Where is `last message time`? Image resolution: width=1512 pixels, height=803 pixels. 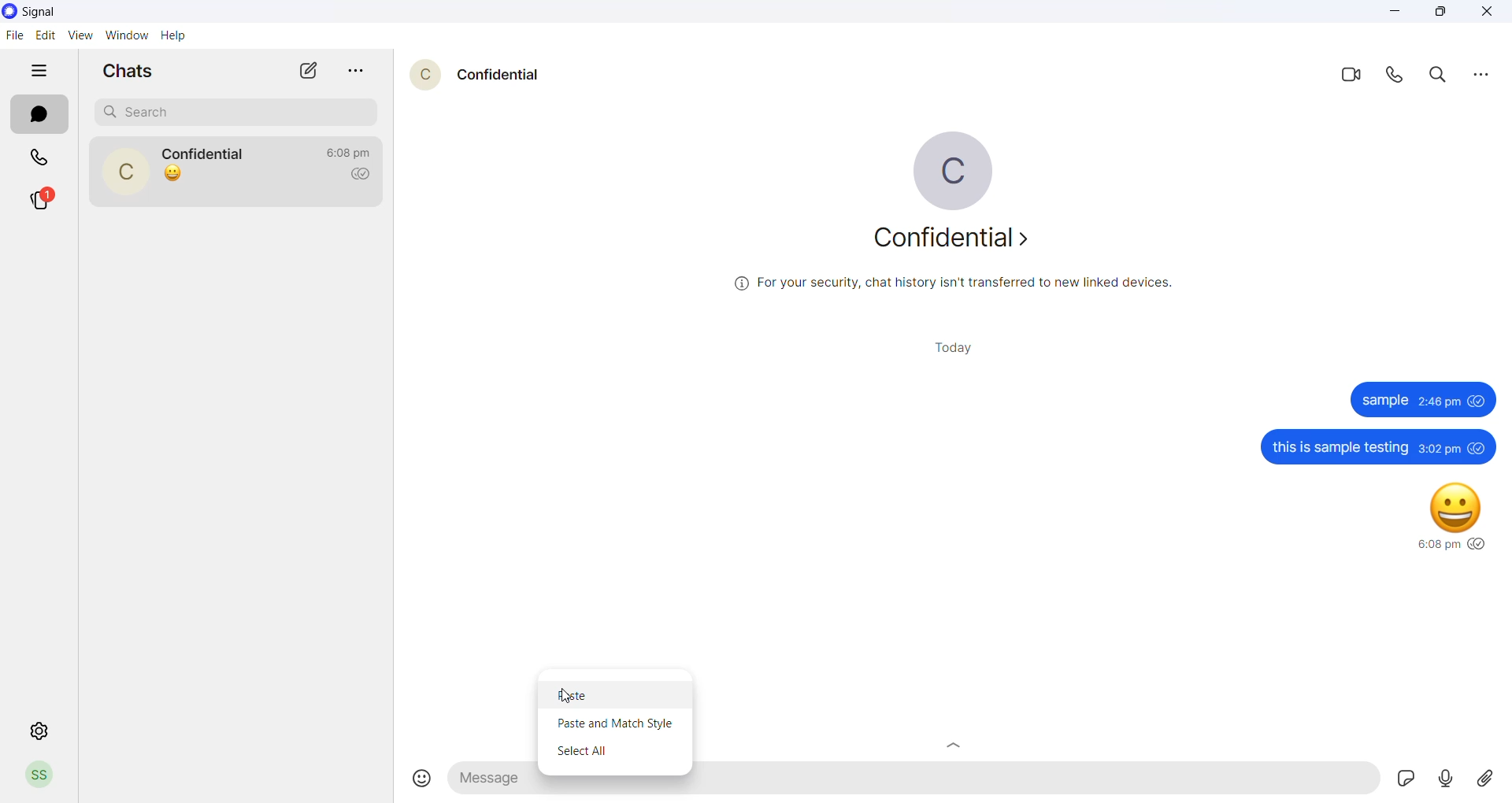 last message time is located at coordinates (352, 147).